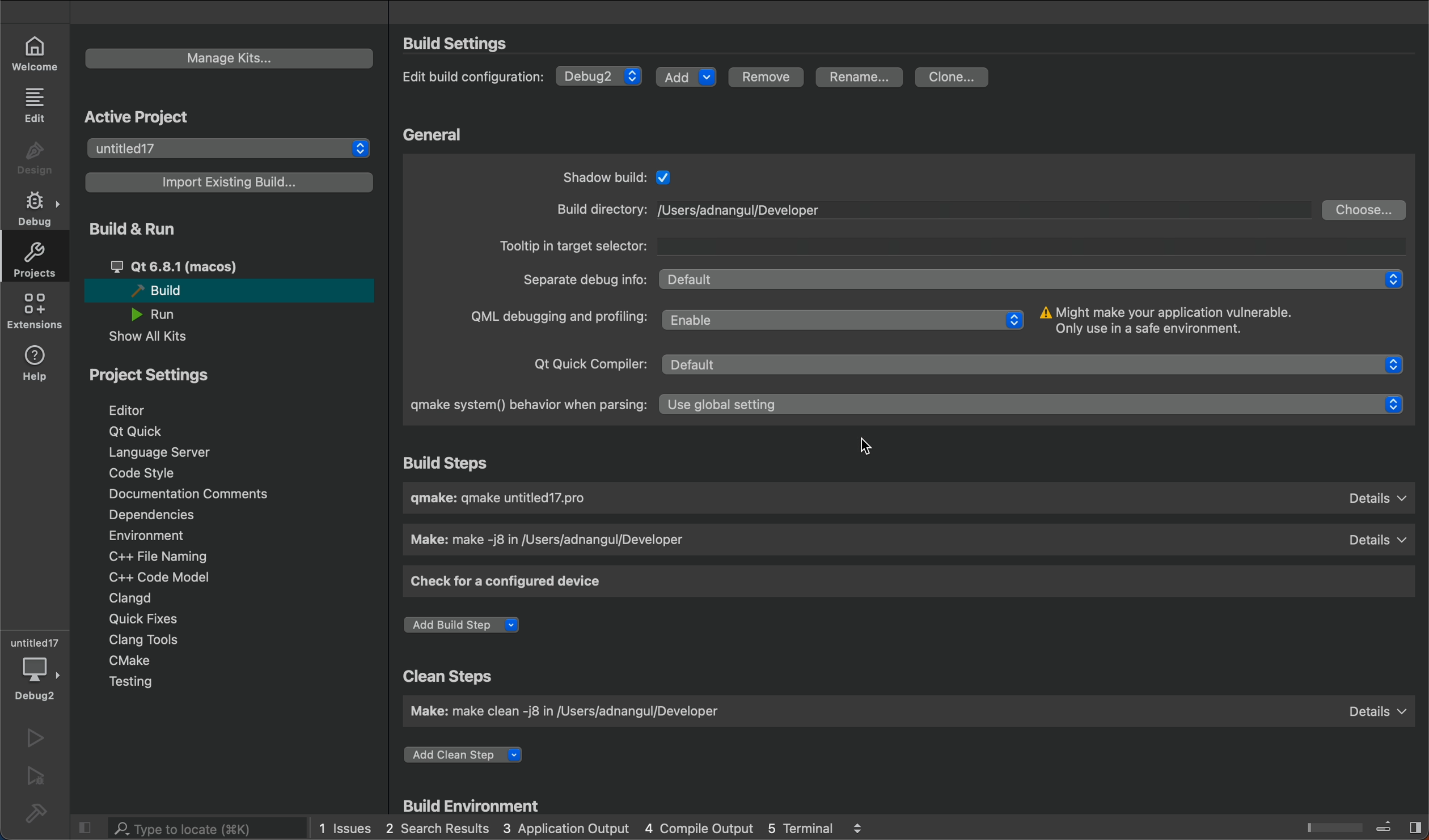  What do you see at coordinates (36, 736) in the screenshot?
I see `run` at bounding box center [36, 736].